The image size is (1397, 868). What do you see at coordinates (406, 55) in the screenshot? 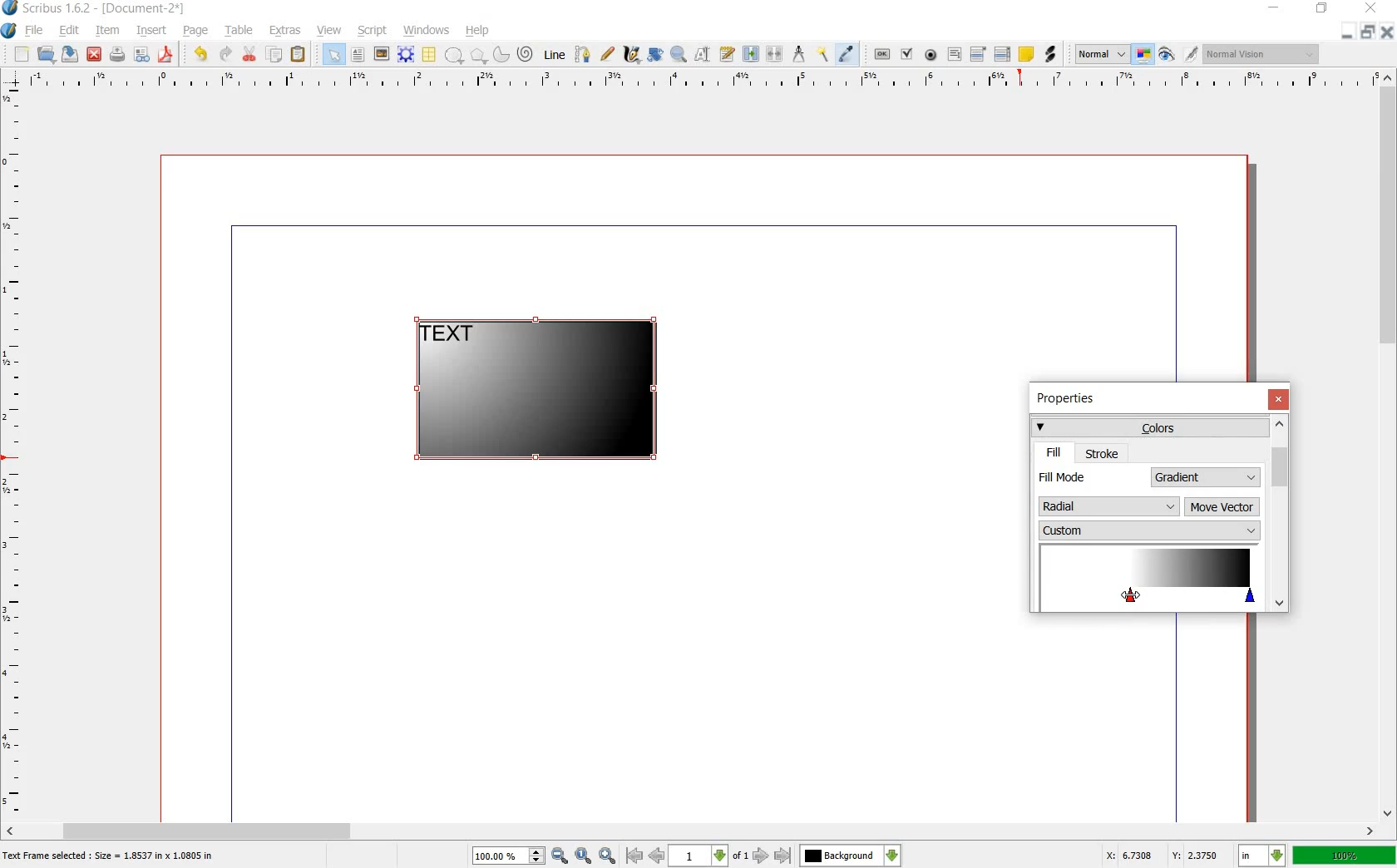
I see `render frame` at bounding box center [406, 55].